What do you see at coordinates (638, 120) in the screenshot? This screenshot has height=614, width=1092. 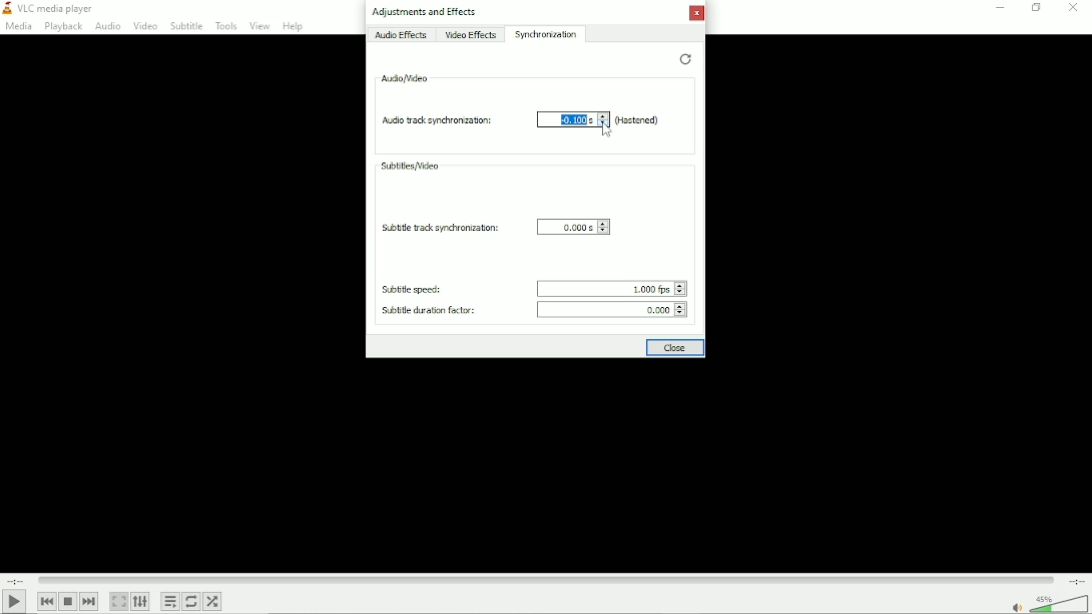 I see `(Hastened)` at bounding box center [638, 120].